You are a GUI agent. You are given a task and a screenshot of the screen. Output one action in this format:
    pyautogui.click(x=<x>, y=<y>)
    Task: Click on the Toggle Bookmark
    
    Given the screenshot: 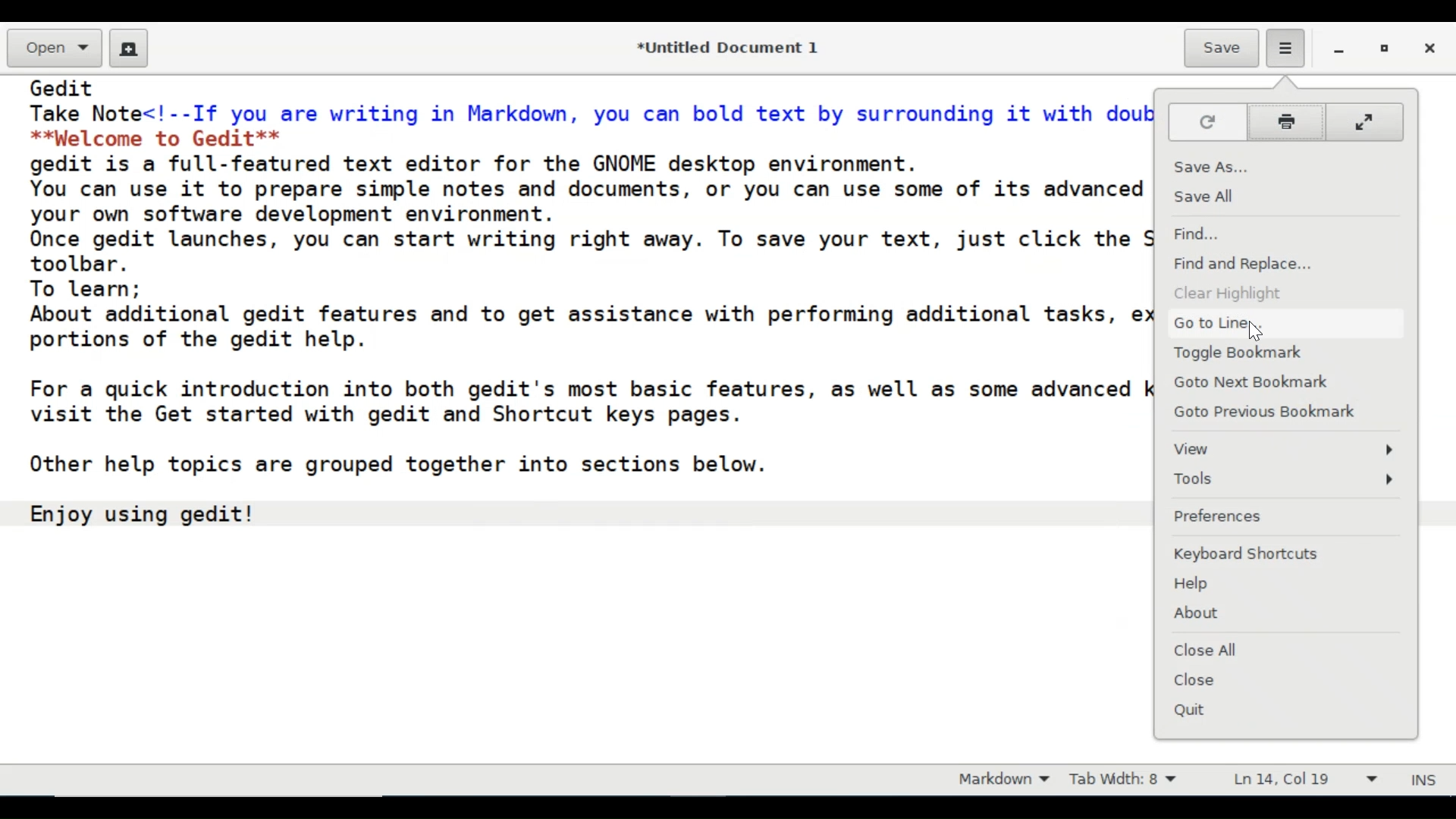 What is the action you would take?
    pyautogui.click(x=1245, y=352)
    